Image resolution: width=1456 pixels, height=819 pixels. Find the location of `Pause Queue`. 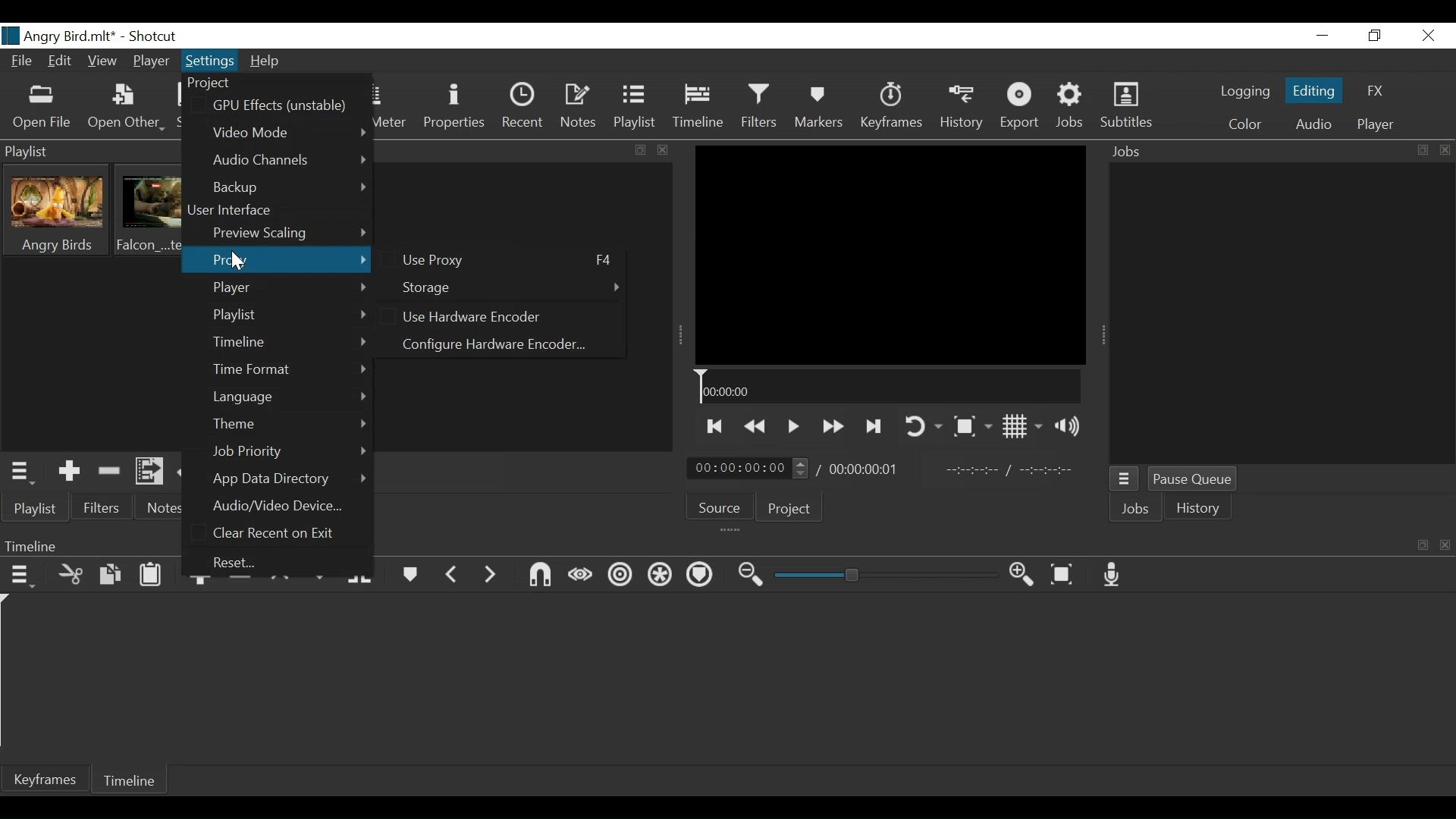

Pause Queue is located at coordinates (1194, 480).